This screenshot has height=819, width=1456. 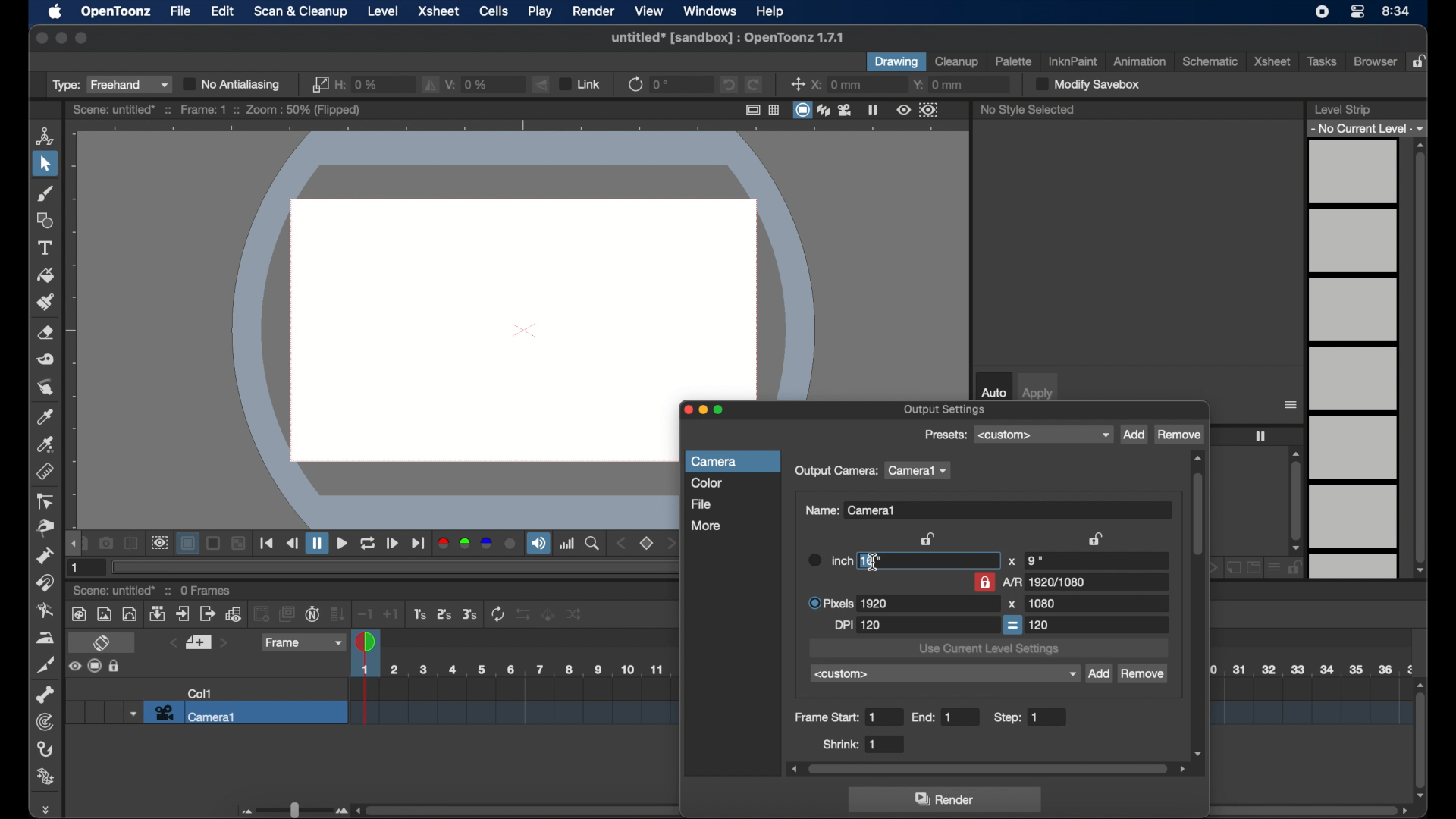 What do you see at coordinates (548, 613) in the screenshot?
I see `` at bounding box center [548, 613].